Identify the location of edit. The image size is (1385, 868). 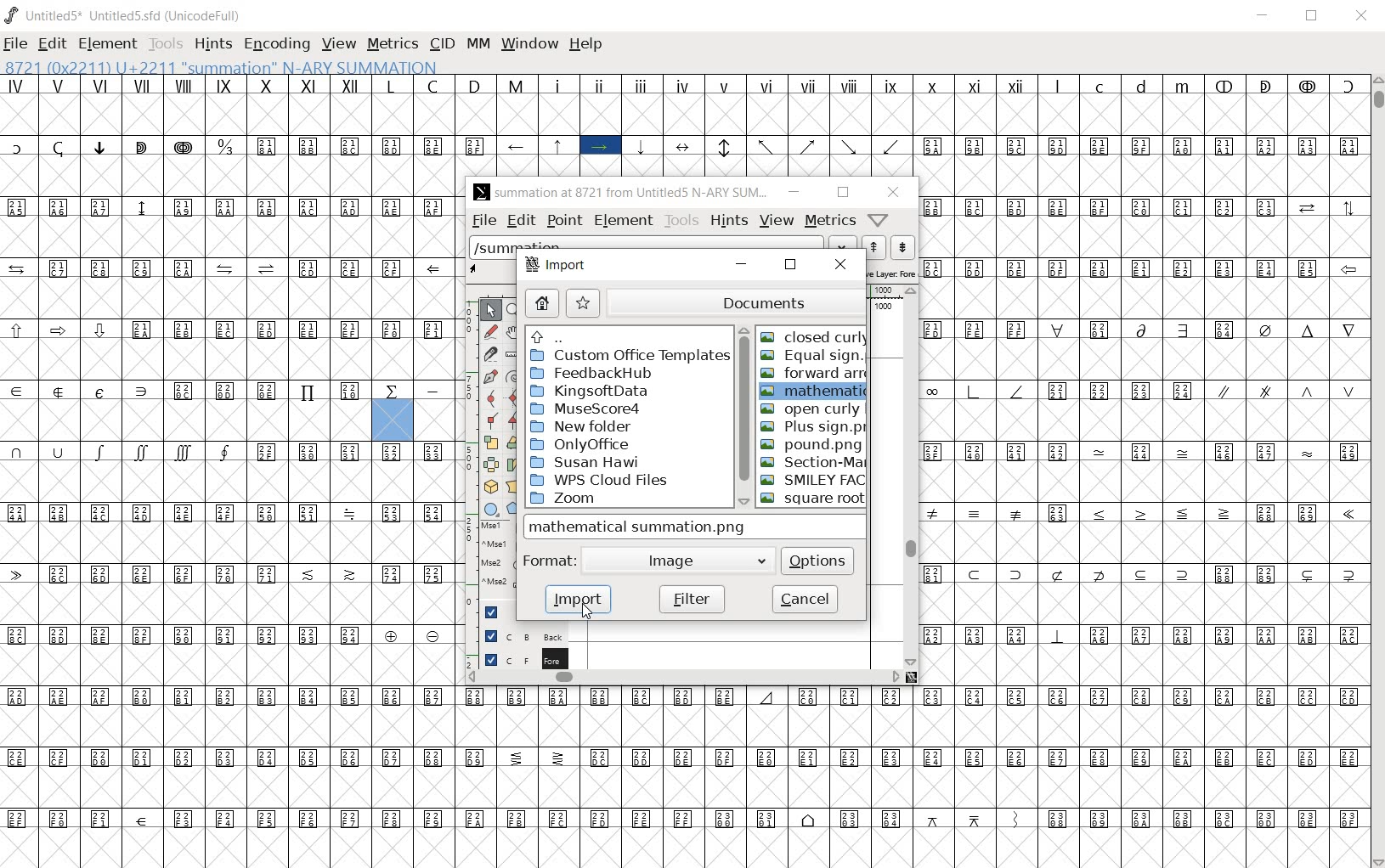
(519, 219).